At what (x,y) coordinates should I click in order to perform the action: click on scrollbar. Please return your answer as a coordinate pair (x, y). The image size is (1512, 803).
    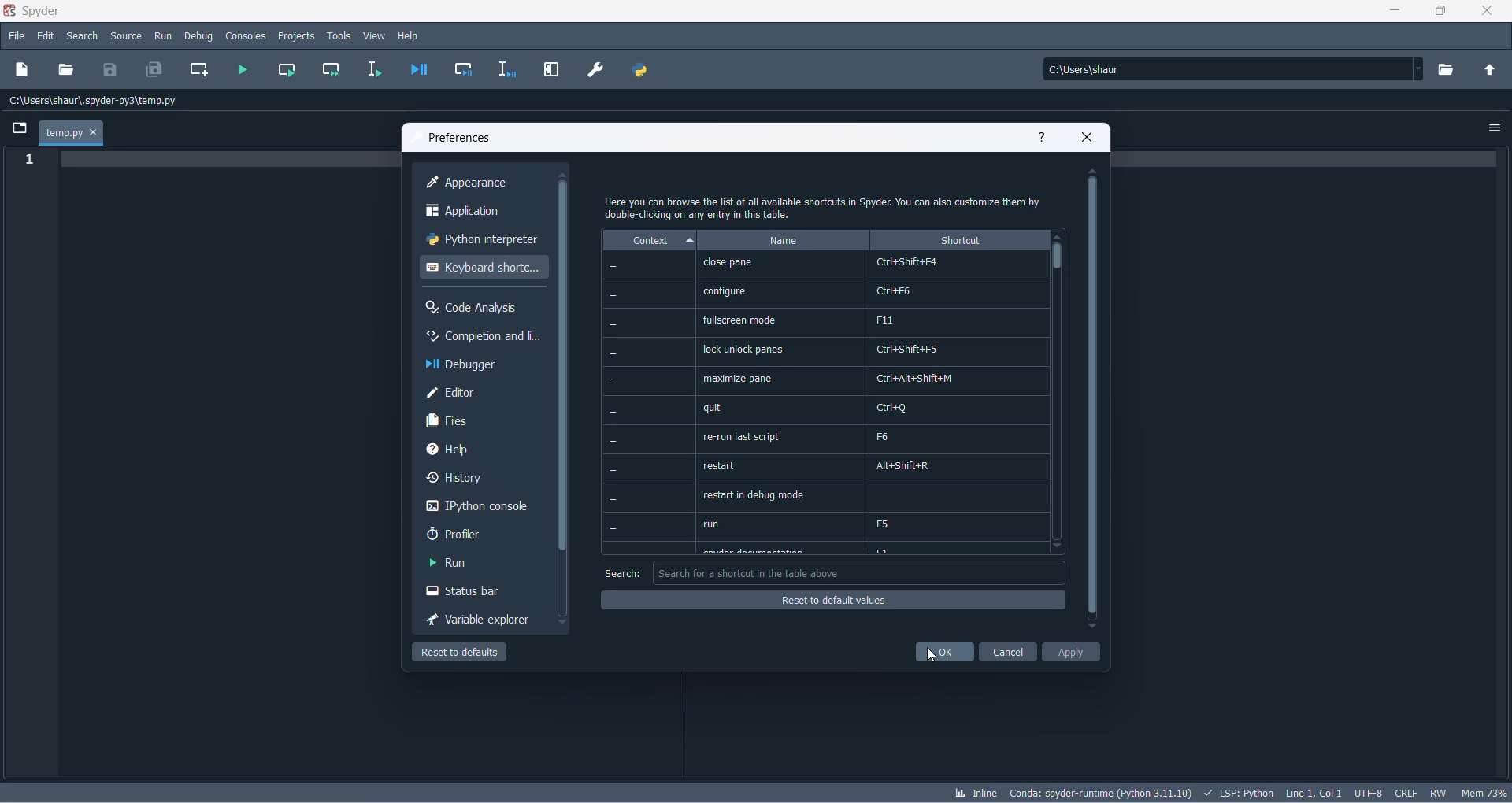
    Looking at the image, I should click on (1093, 399).